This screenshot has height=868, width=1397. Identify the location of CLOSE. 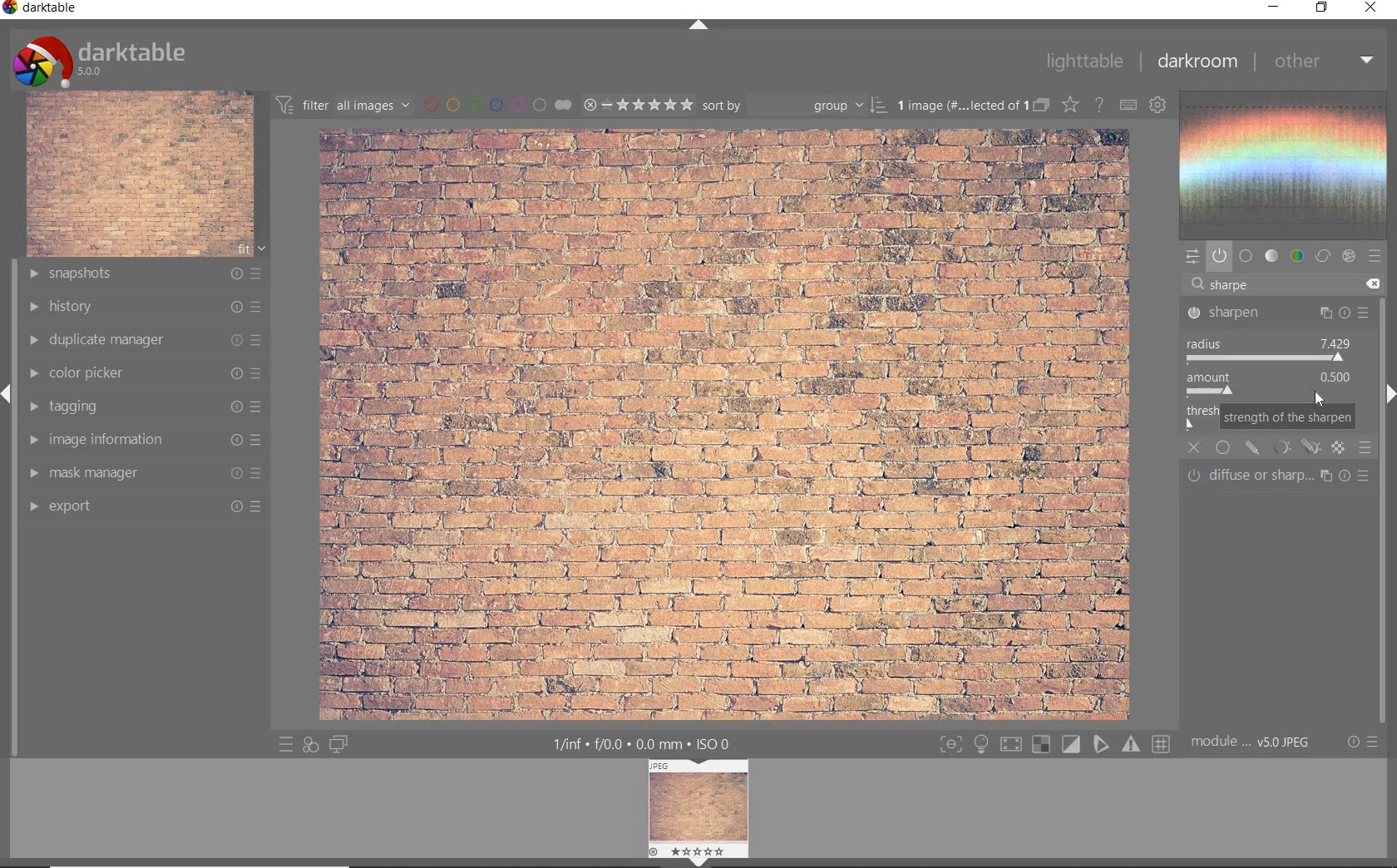
(1195, 448).